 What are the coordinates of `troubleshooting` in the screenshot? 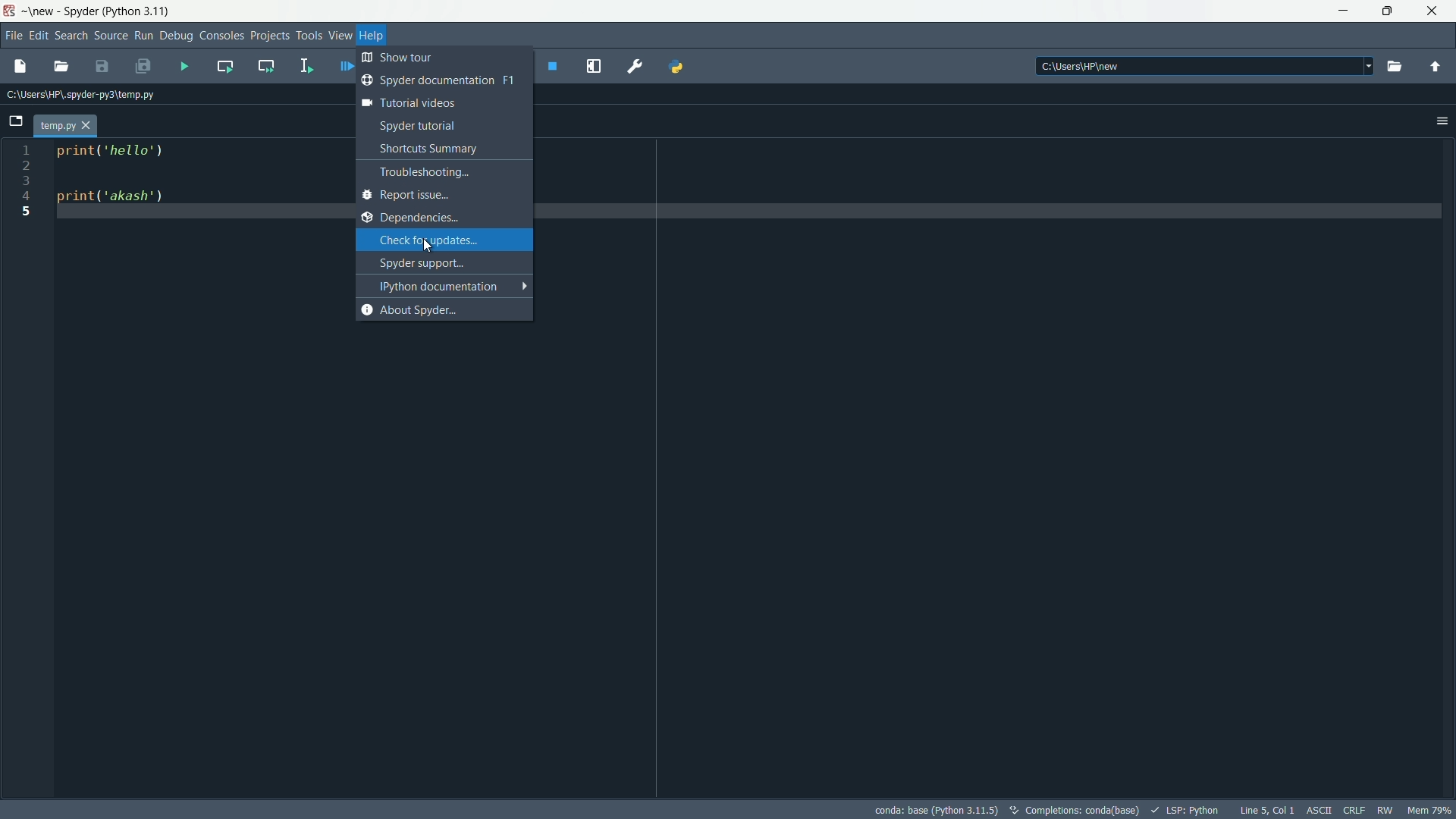 It's located at (438, 173).